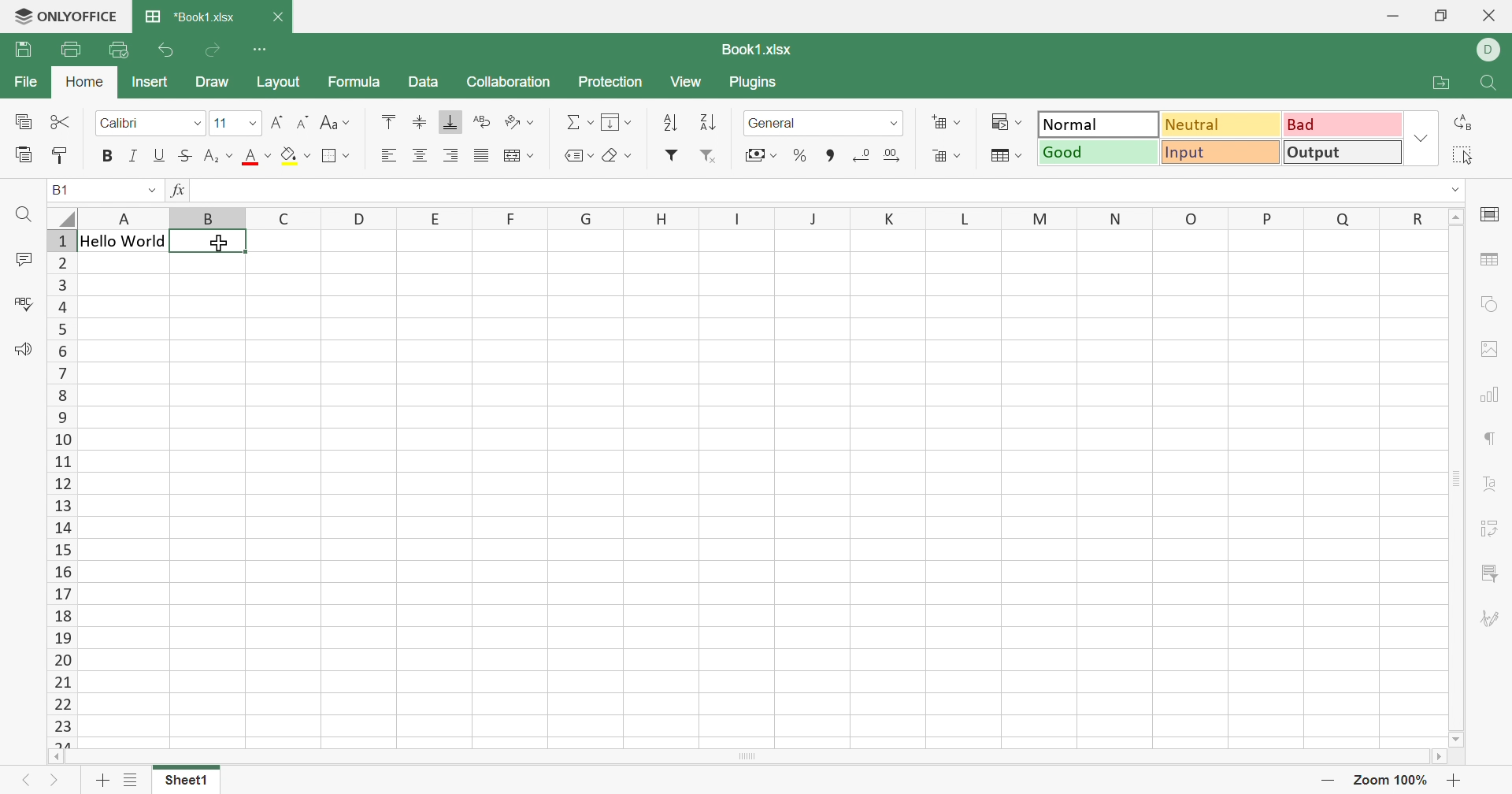 Image resolution: width=1512 pixels, height=794 pixels. I want to click on Restore down, so click(1440, 17).